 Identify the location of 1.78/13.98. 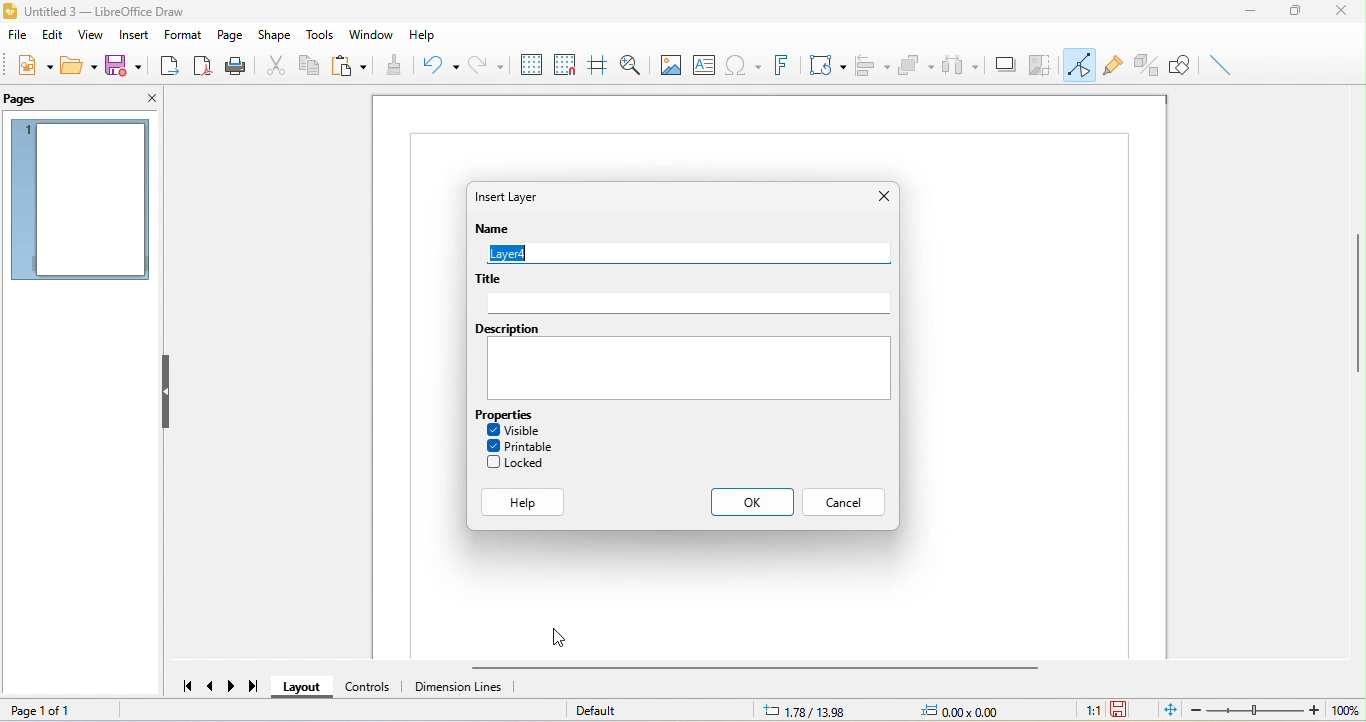
(803, 710).